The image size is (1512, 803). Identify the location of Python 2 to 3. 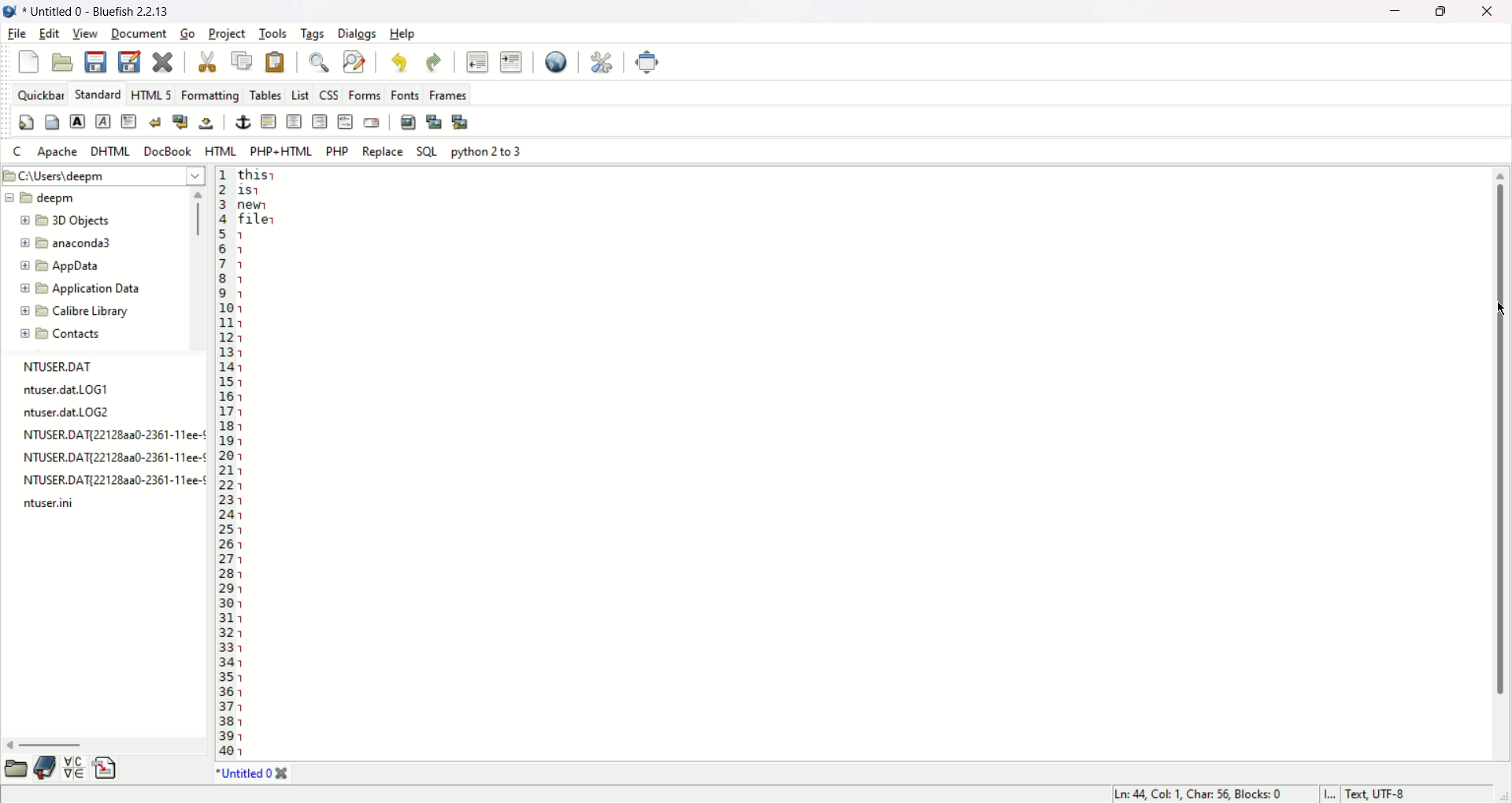
(487, 151).